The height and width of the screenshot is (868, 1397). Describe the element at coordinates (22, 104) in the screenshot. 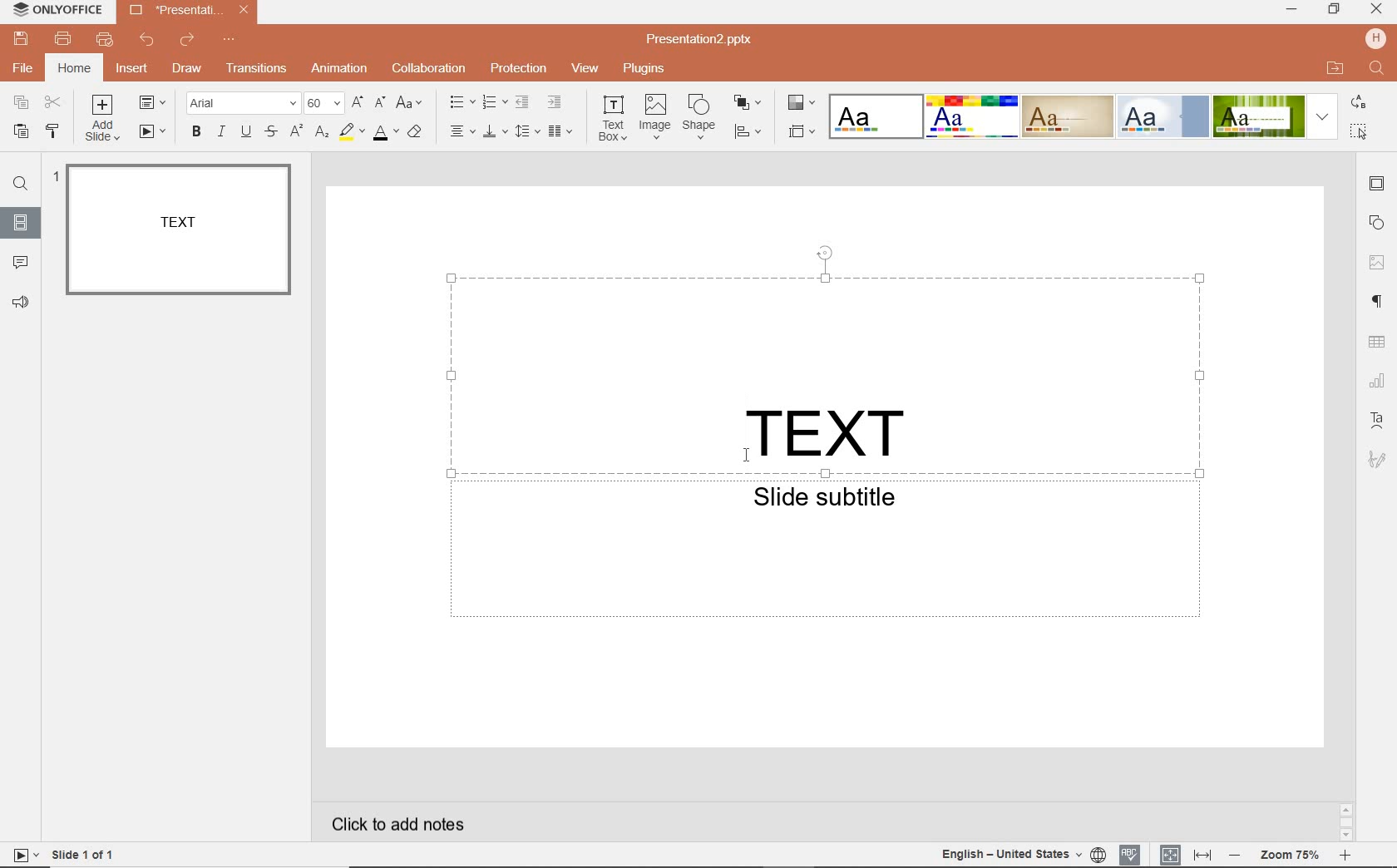

I see `COPY` at that location.